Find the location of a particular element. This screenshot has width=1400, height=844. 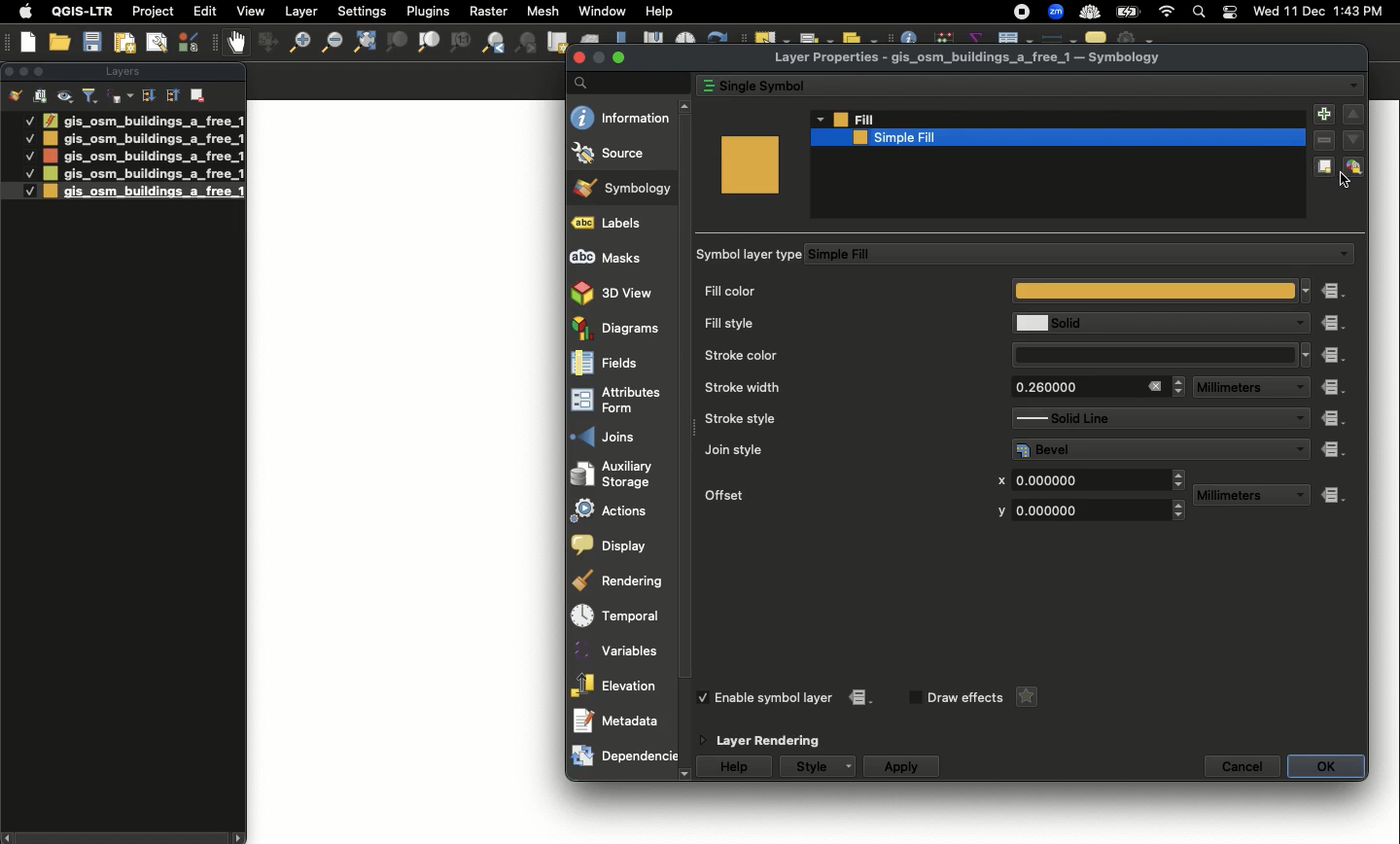

Checked is located at coordinates (28, 120).